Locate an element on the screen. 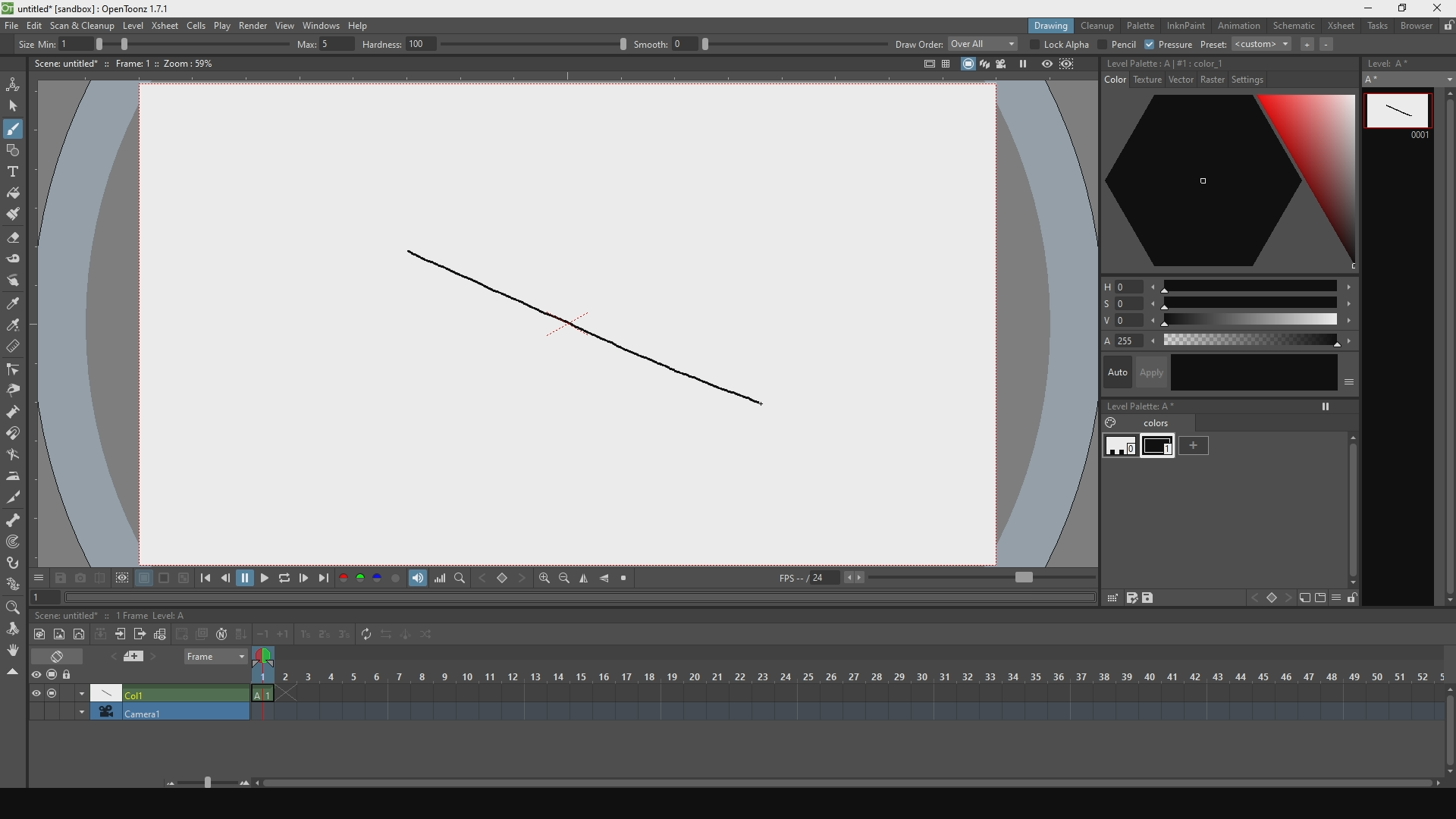 The image size is (1456, 819). skip to the previous point is located at coordinates (203, 579).